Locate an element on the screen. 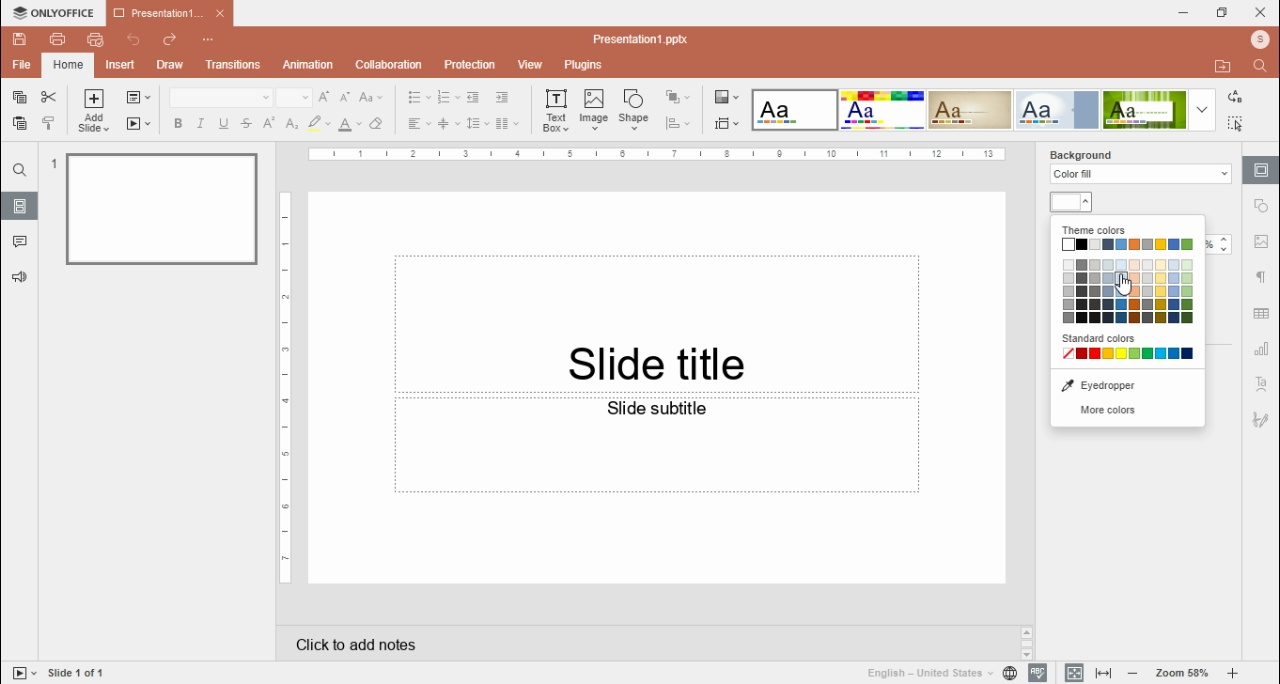 This screenshot has height=684, width=1280. text box is located at coordinates (659, 446).